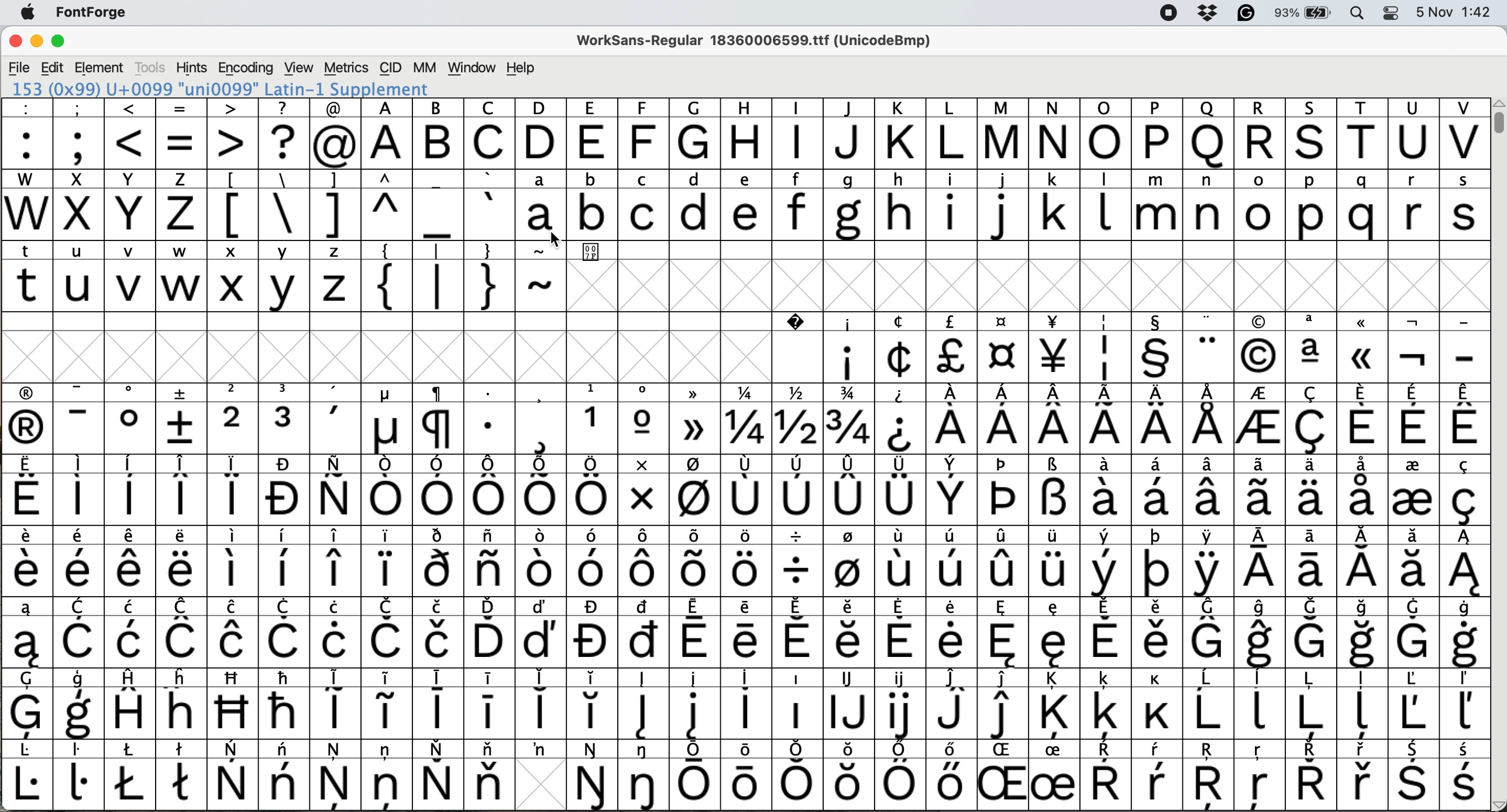 This screenshot has width=1507, height=812. What do you see at coordinates (848, 631) in the screenshot?
I see `symbol` at bounding box center [848, 631].